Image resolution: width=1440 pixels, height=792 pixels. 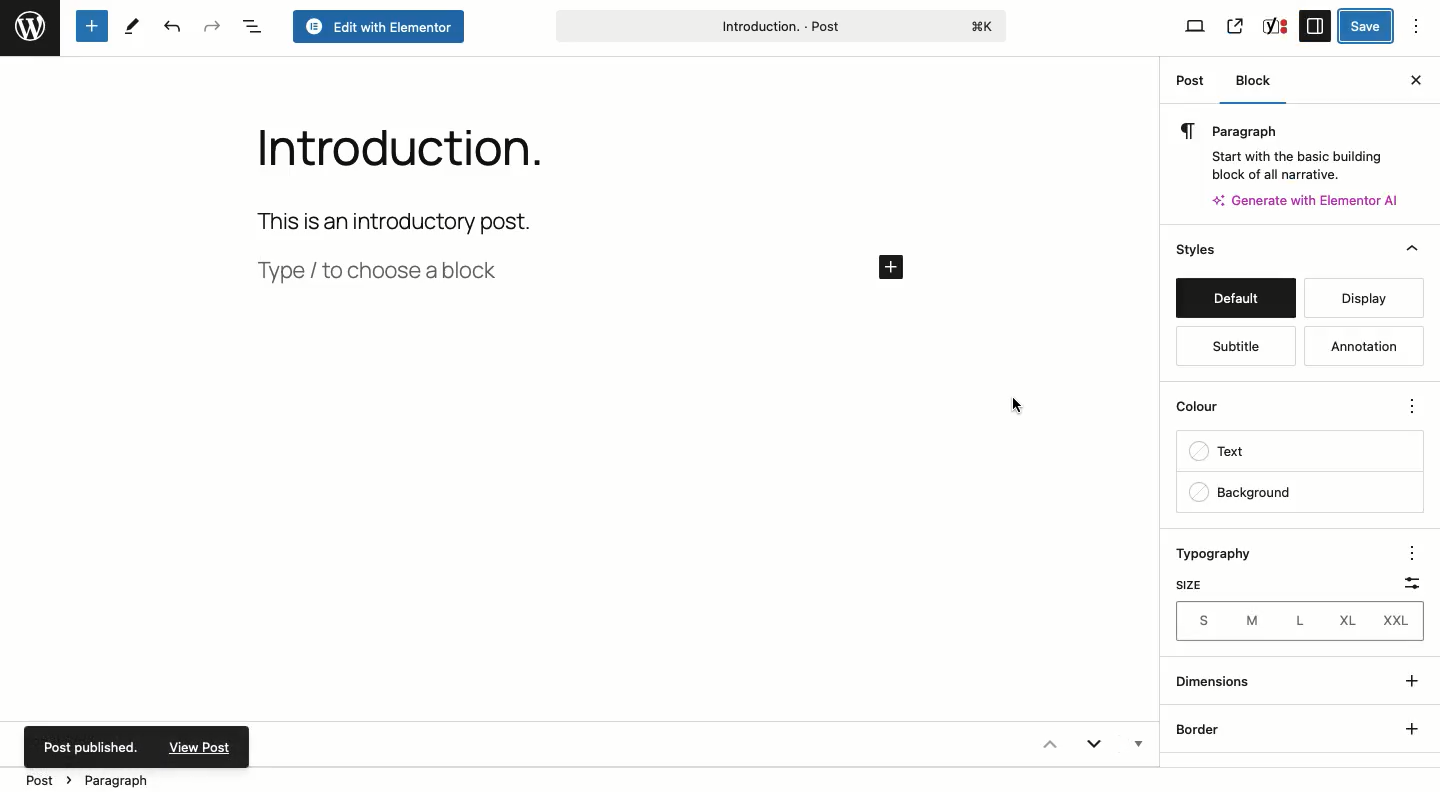 What do you see at coordinates (1415, 78) in the screenshot?
I see `Close` at bounding box center [1415, 78].